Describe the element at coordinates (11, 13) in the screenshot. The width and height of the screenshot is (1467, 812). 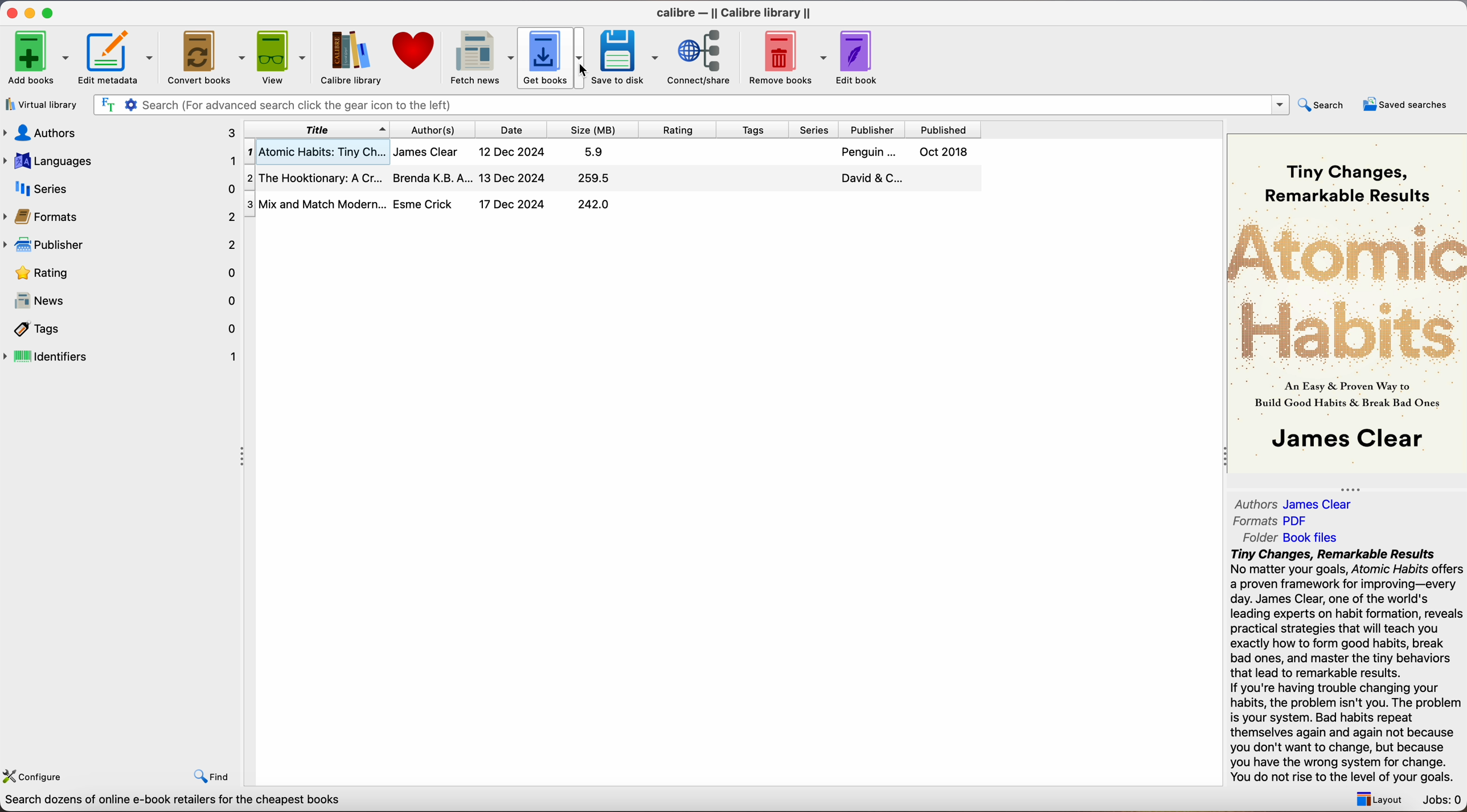
I see `close` at that location.